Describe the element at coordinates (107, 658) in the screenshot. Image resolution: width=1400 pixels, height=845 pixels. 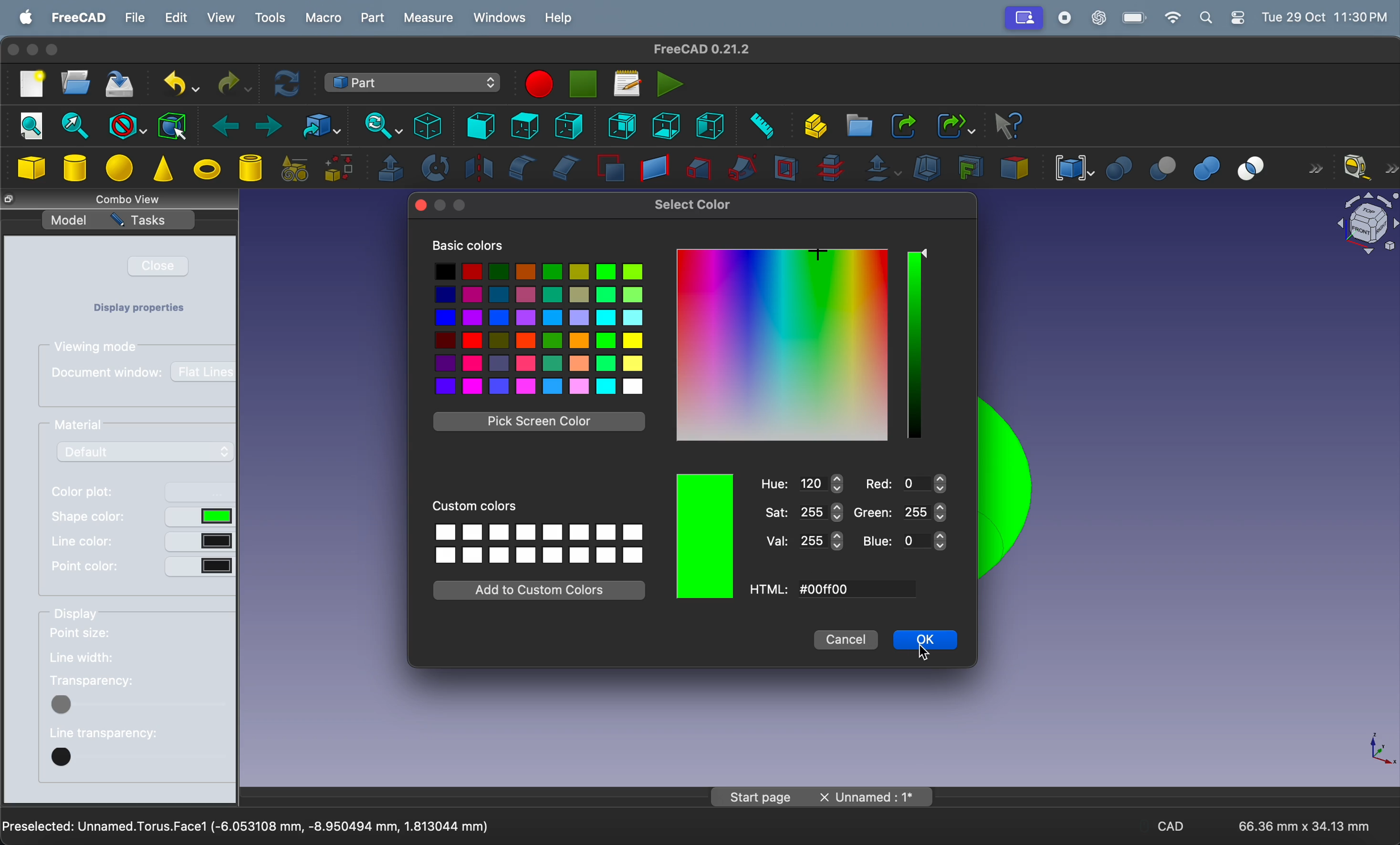
I see `line width` at that location.